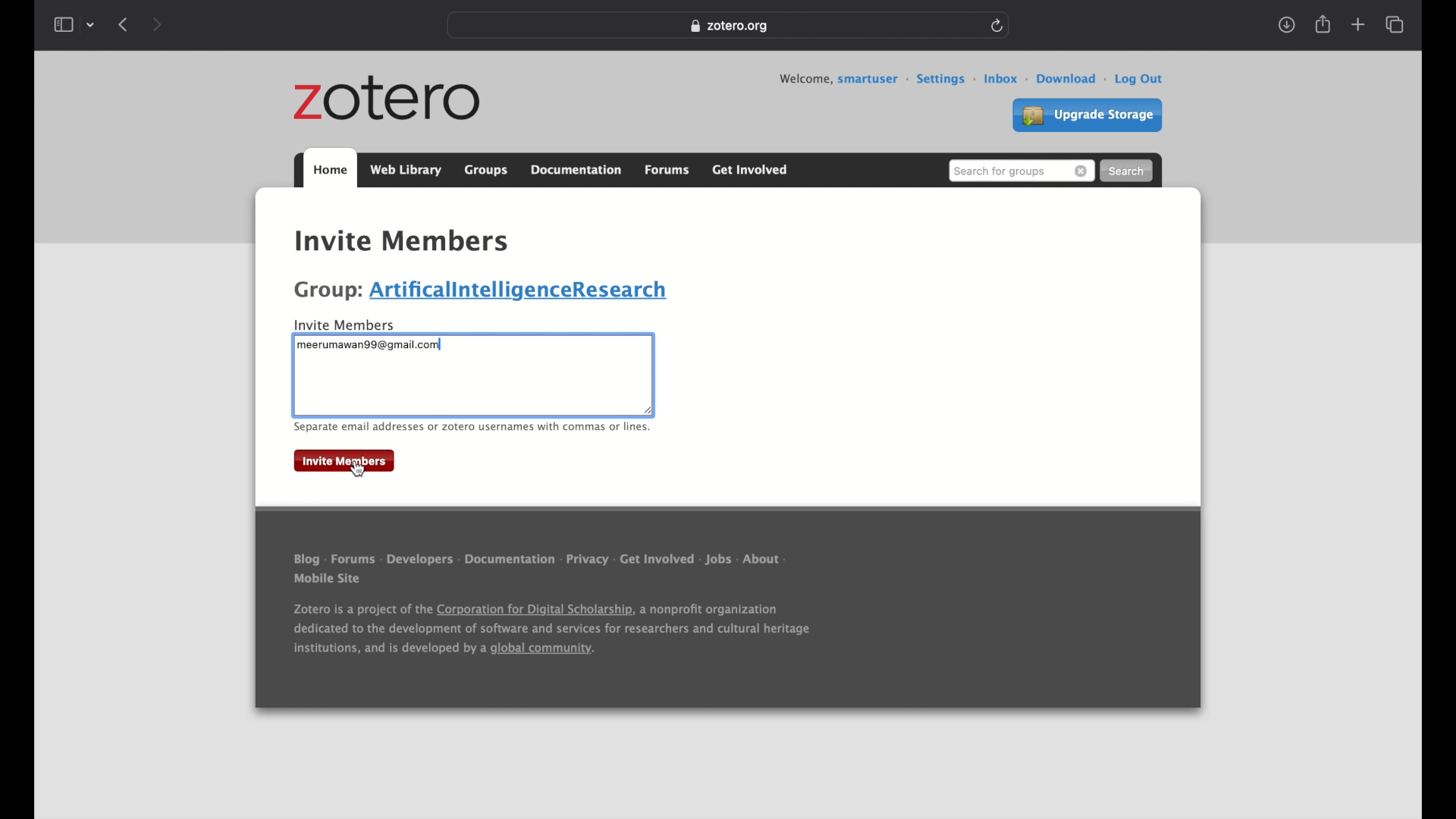 This screenshot has width=1456, height=819. I want to click on group:, so click(328, 291).